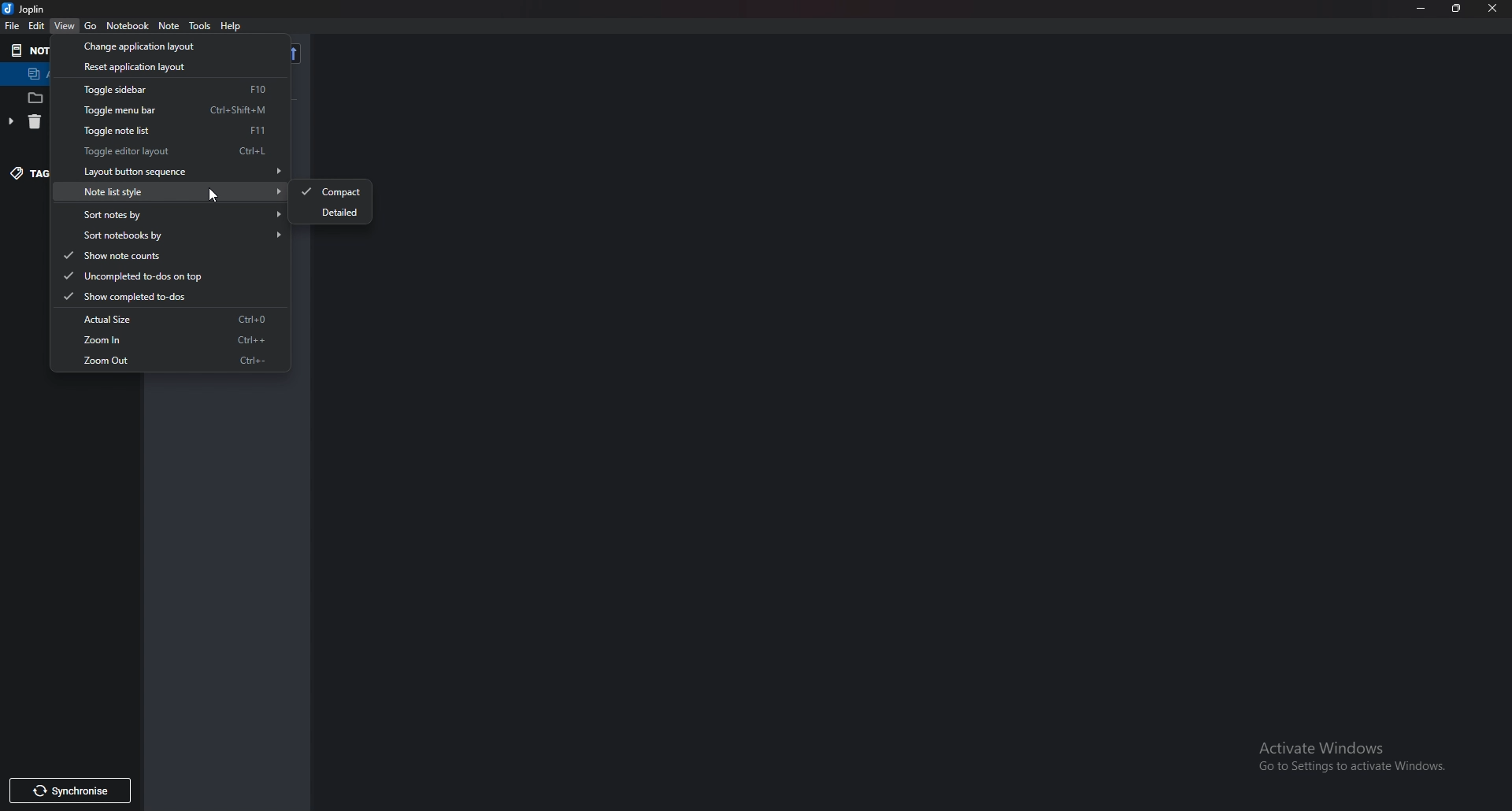 This screenshot has width=1512, height=811. What do you see at coordinates (178, 70) in the screenshot?
I see `read applicatiON layout` at bounding box center [178, 70].